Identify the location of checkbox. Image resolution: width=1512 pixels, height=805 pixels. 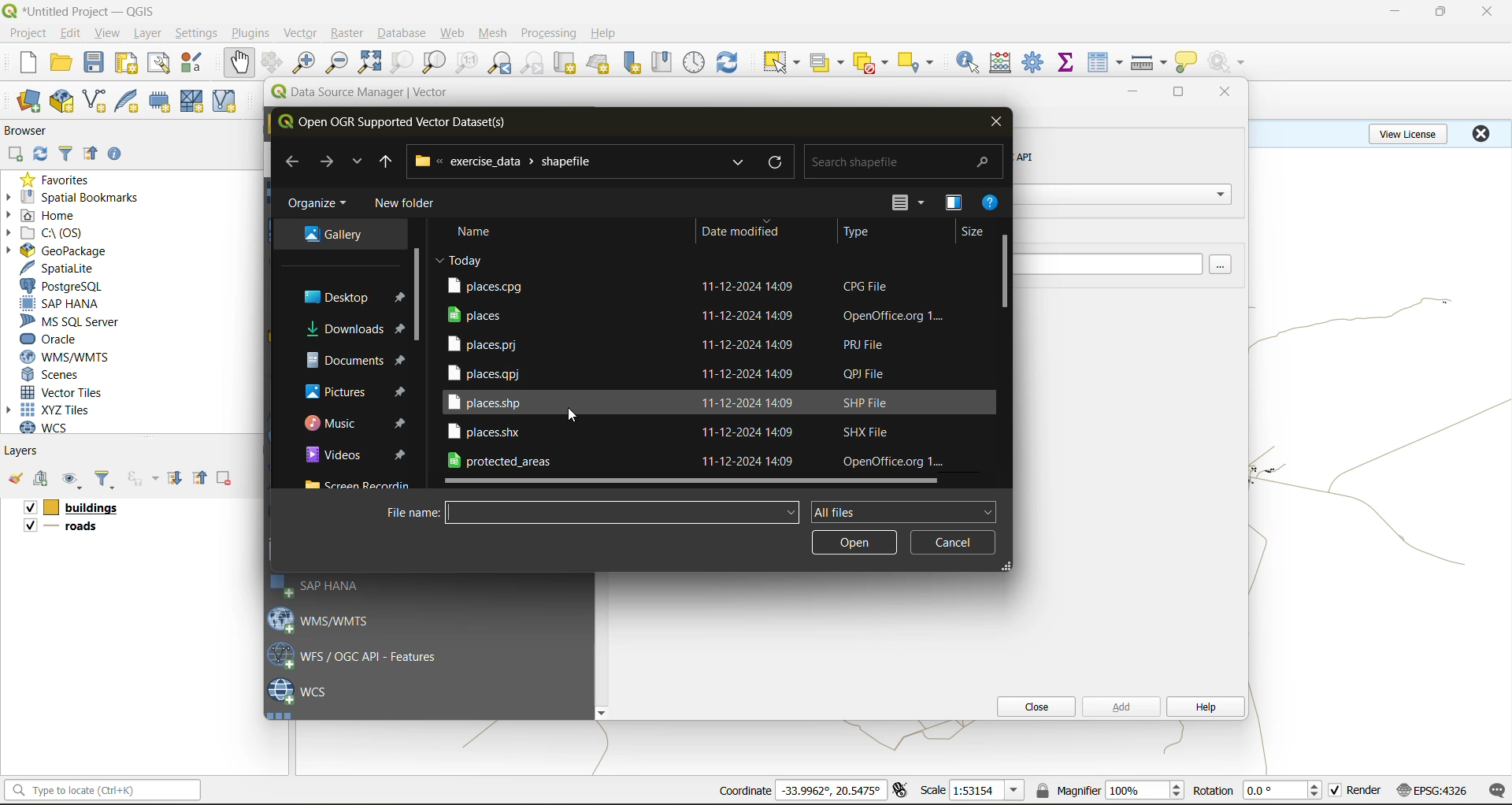
(28, 508).